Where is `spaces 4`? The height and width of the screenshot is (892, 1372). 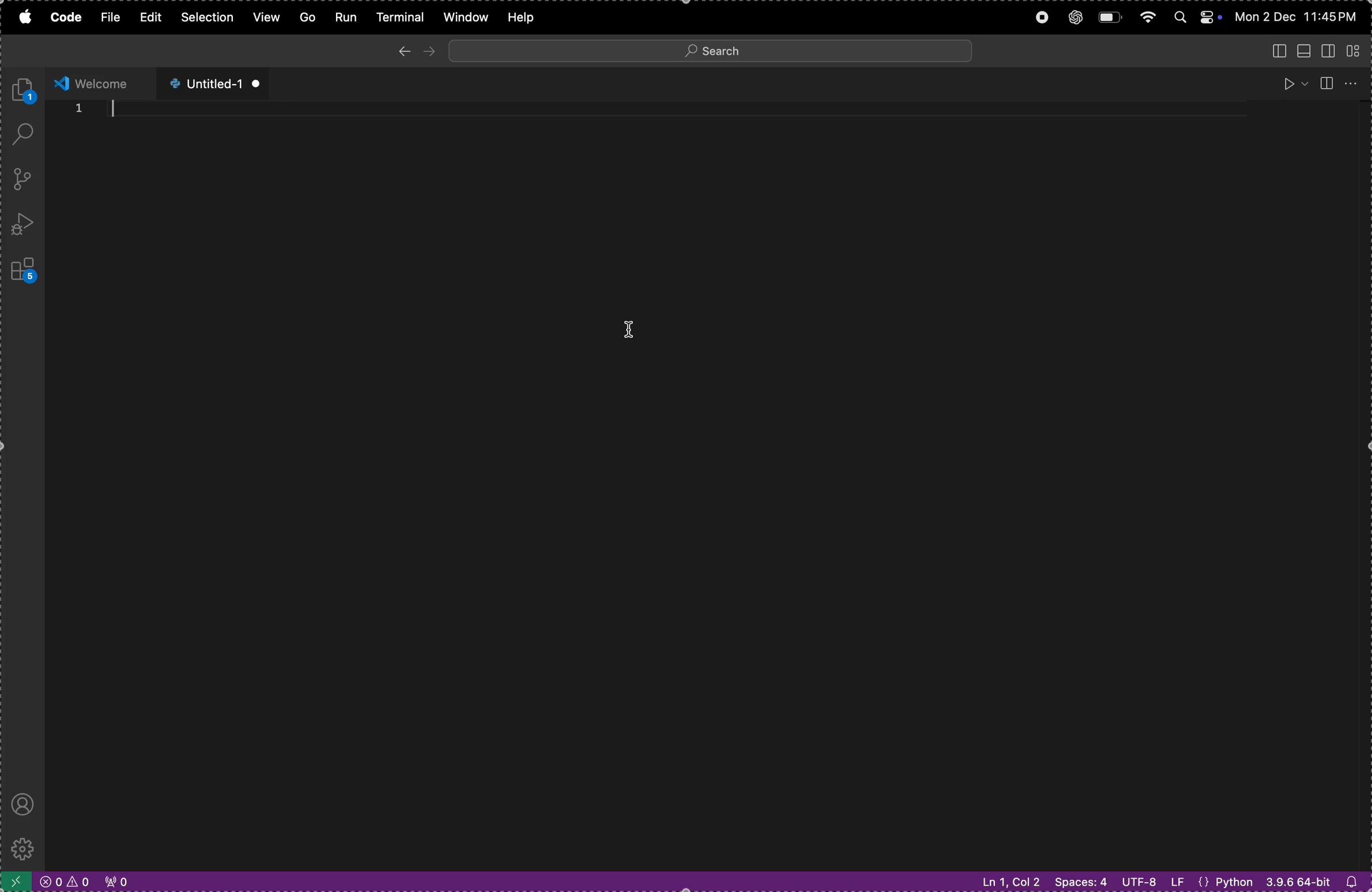 spaces 4 is located at coordinates (1080, 880).